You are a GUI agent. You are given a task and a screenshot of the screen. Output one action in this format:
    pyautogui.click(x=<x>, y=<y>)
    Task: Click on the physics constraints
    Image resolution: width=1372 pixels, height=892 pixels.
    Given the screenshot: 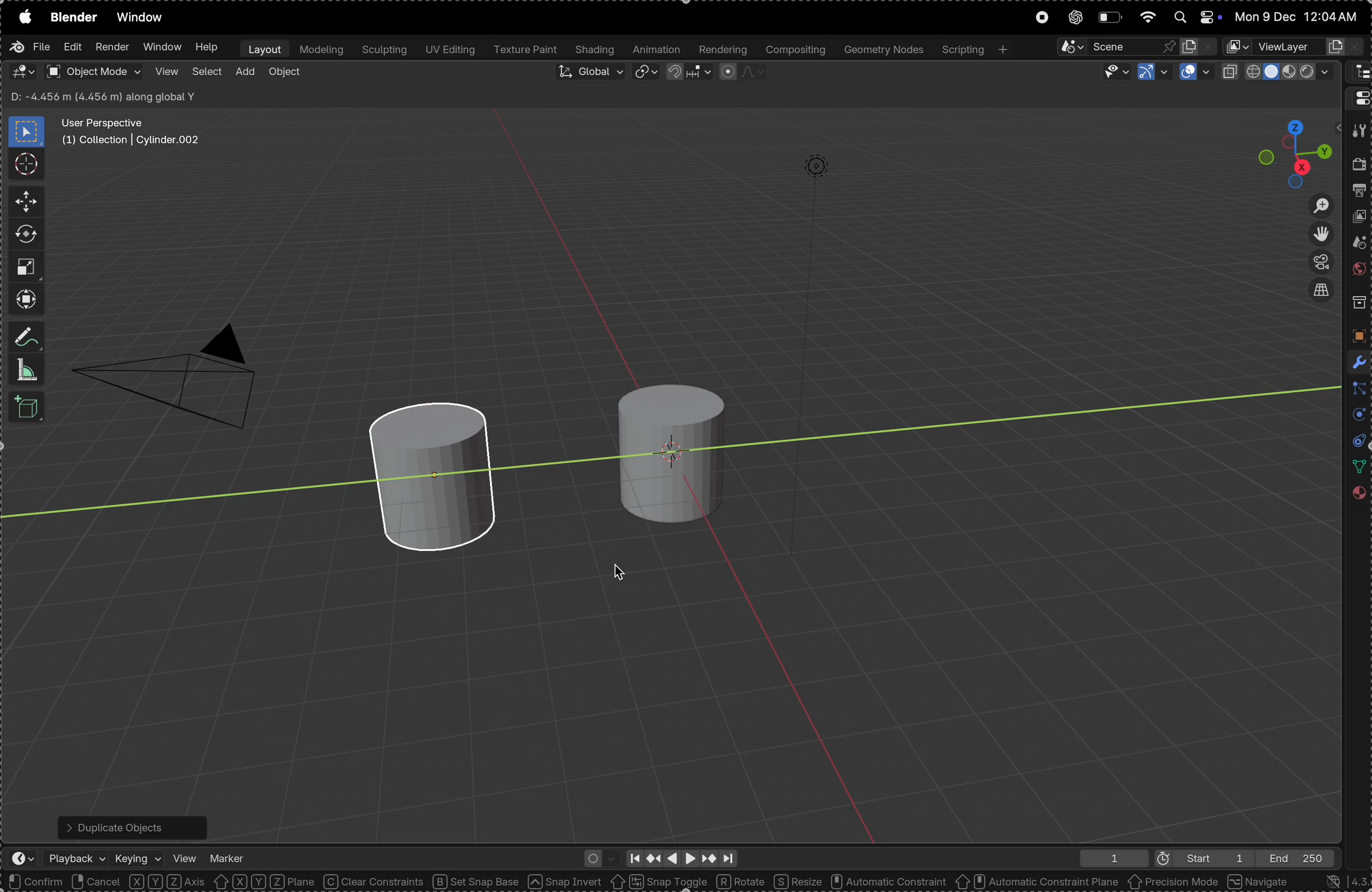 What is the action you would take?
    pyautogui.click(x=1355, y=442)
    